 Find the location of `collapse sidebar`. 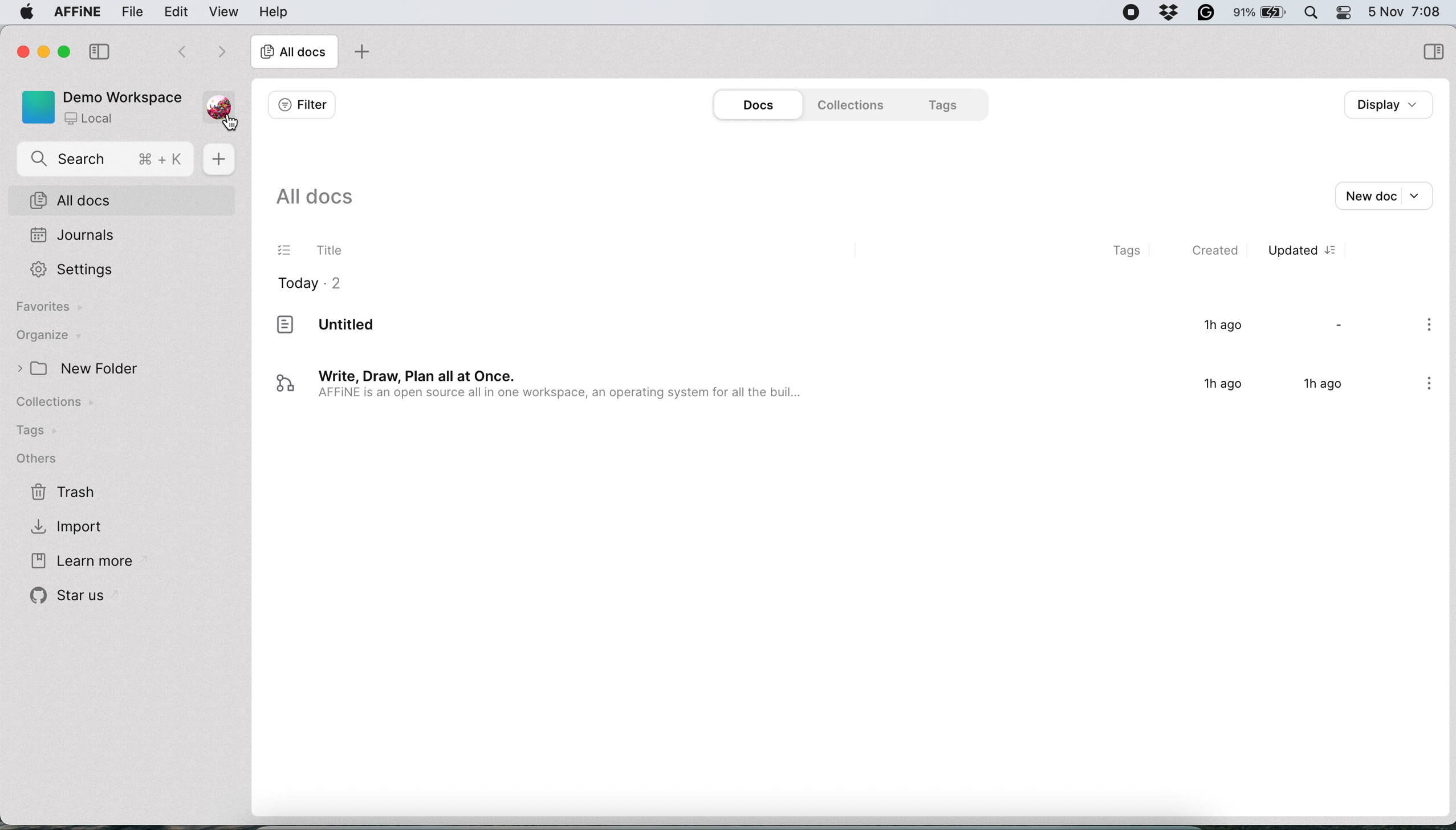

collapse sidebar is located at coordinates (99, 50).